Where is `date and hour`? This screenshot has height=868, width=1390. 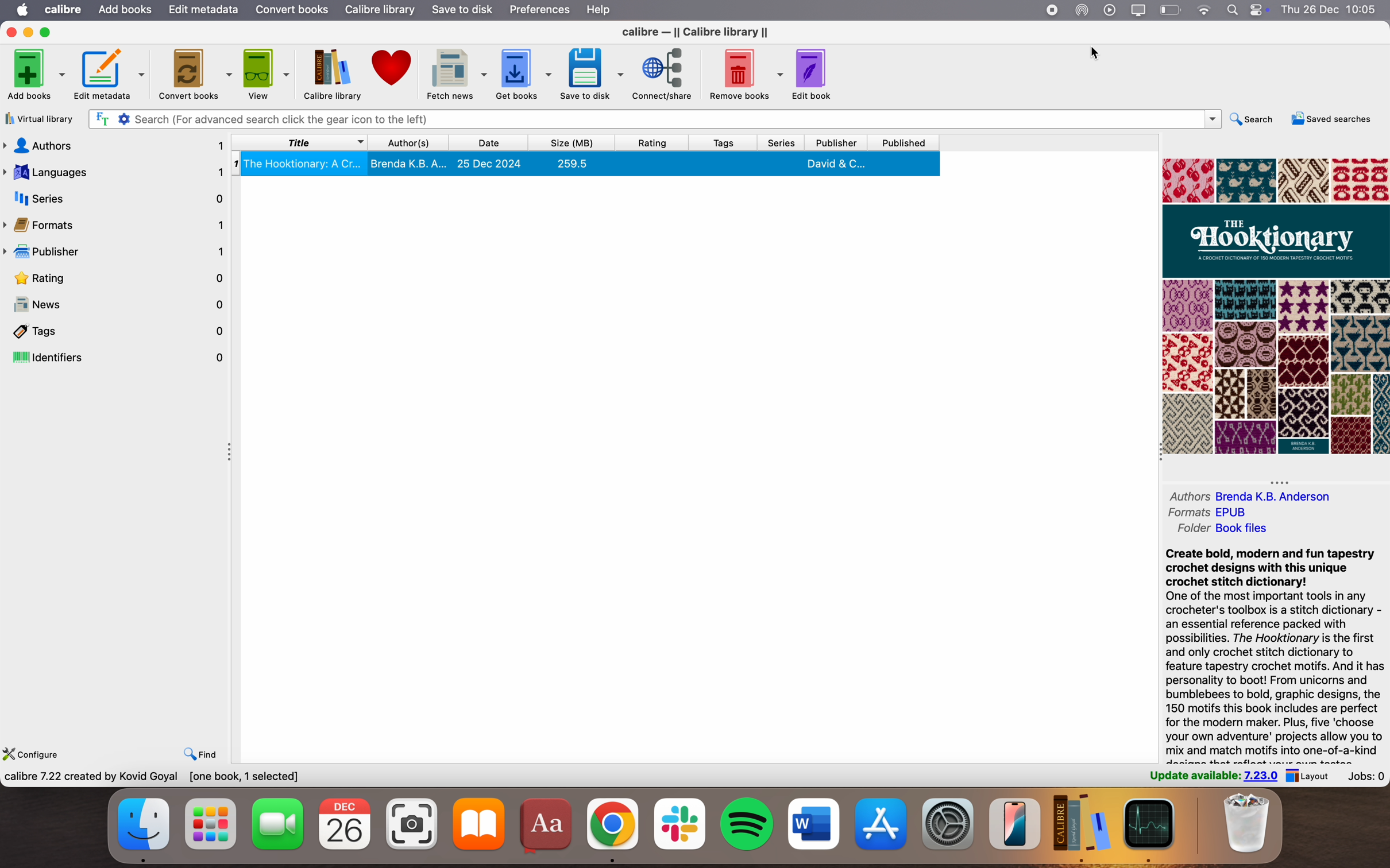
date and hour is located at coordinates (1334, 9).